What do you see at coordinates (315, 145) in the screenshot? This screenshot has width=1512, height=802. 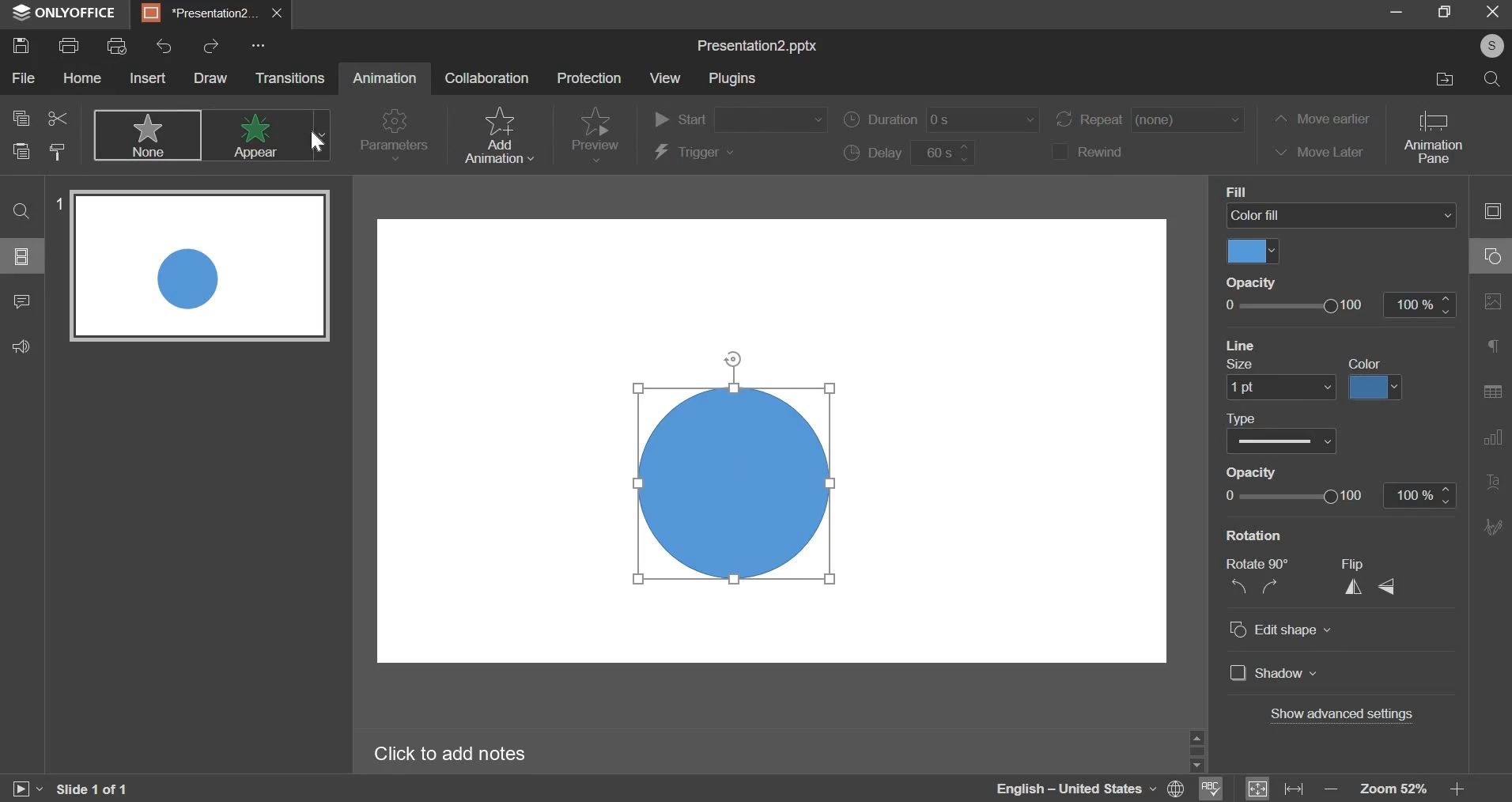 I see `cursor` at bounding box center [315, 145].